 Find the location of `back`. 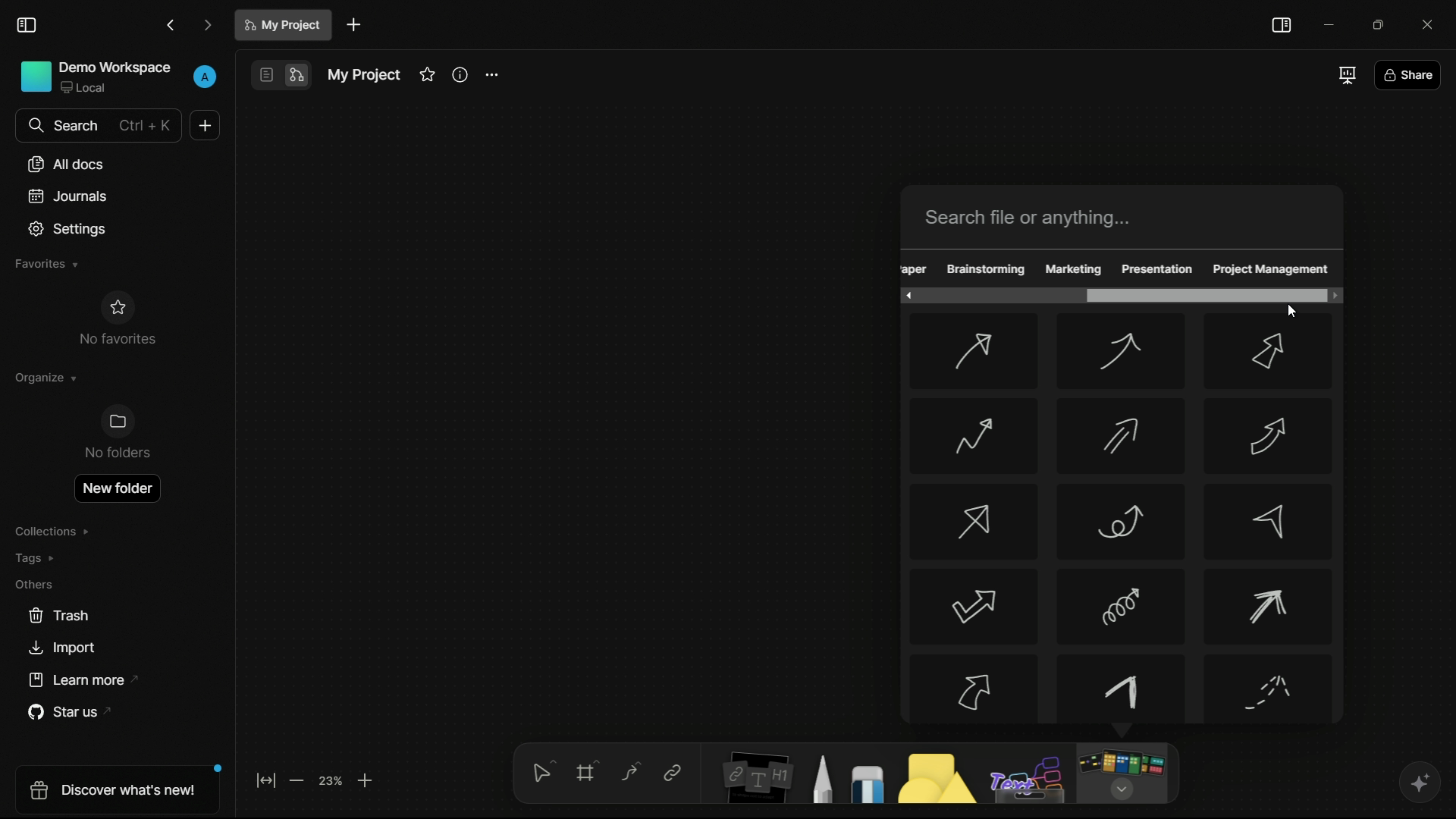

back is located at coordinates (171, 26).